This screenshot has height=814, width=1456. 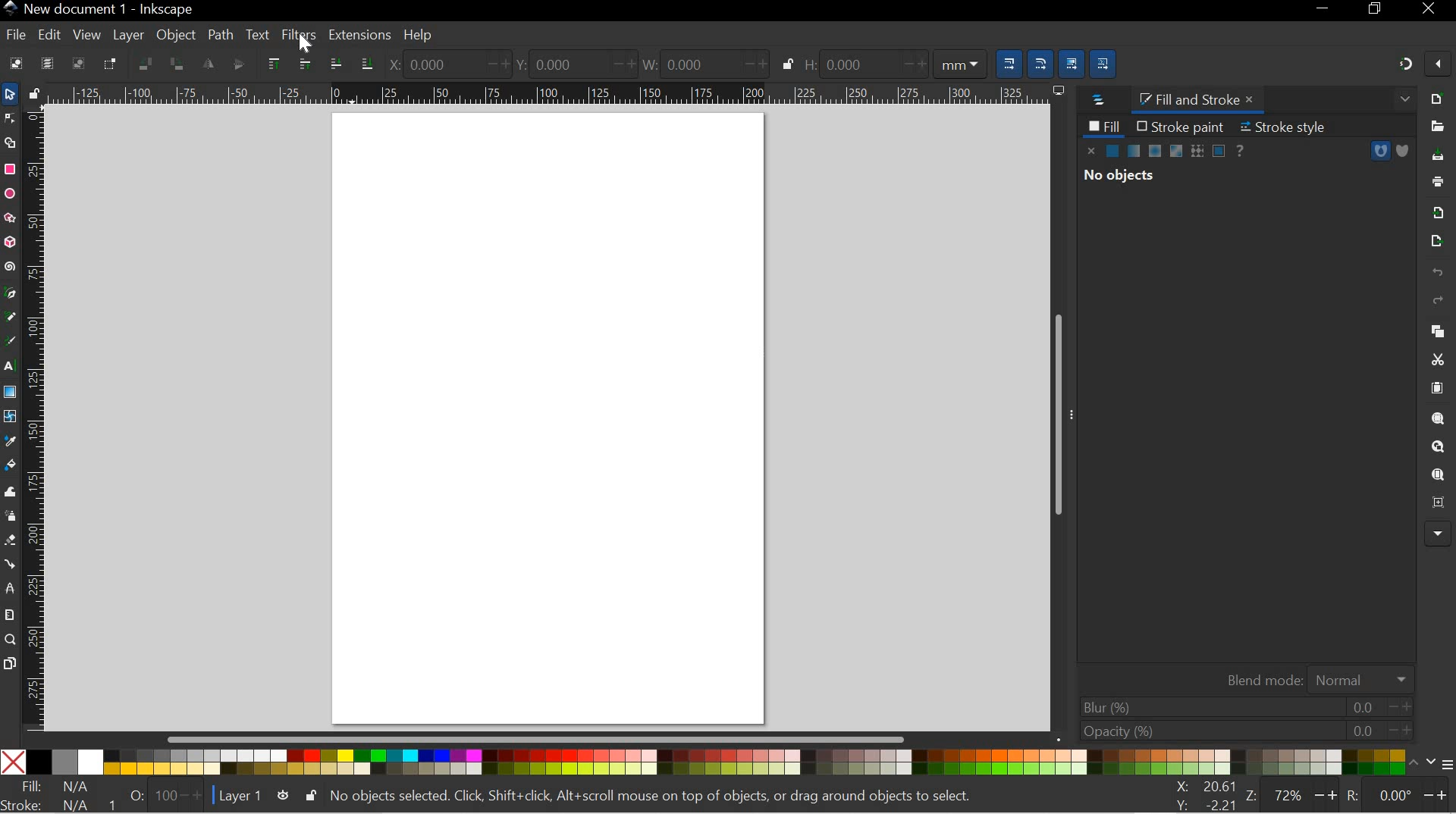 I want to click on Image and Text Effects, so click(x=1438, y=532).